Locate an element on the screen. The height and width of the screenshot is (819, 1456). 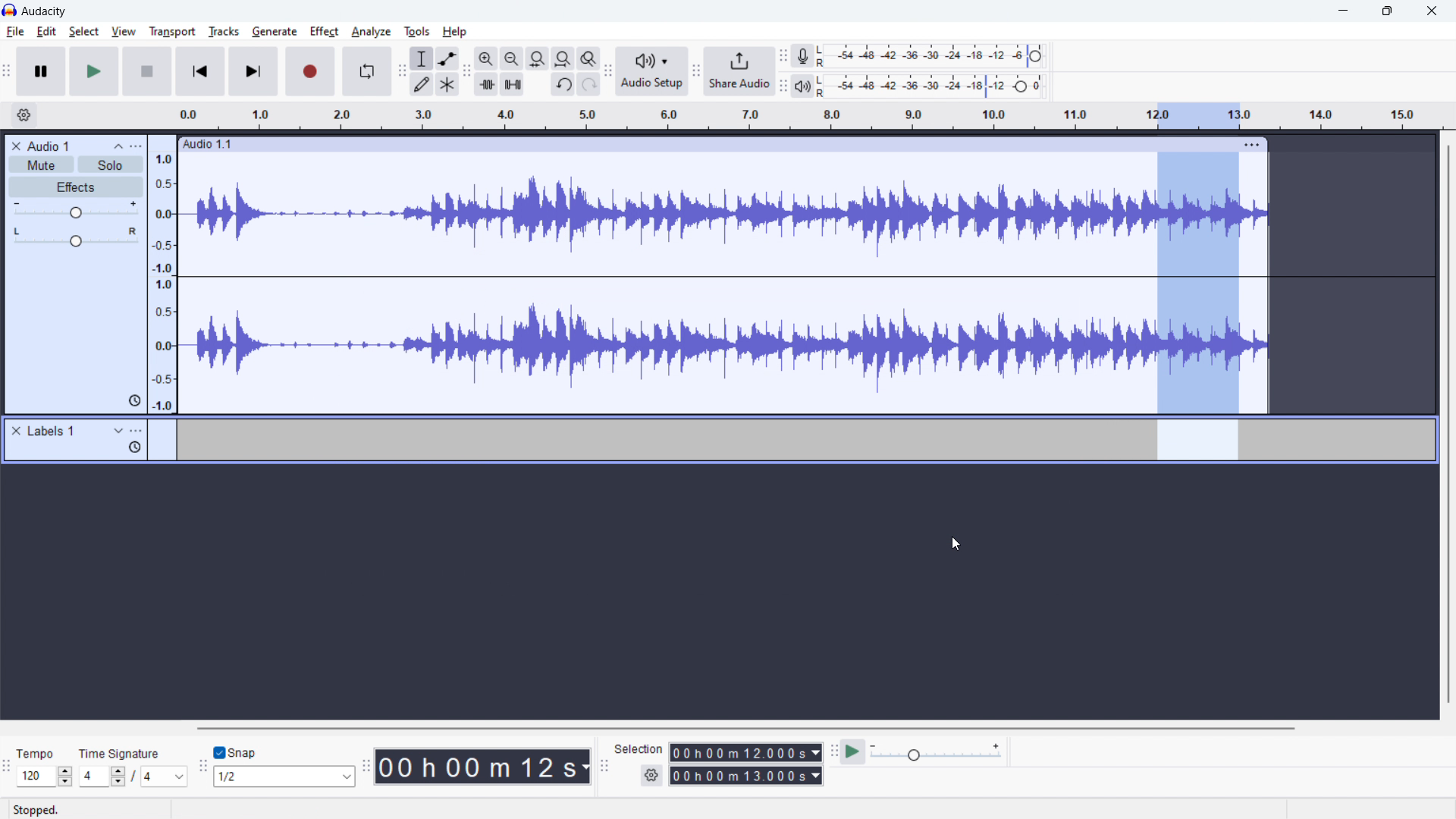
generate is located at coordinates (275, 31).